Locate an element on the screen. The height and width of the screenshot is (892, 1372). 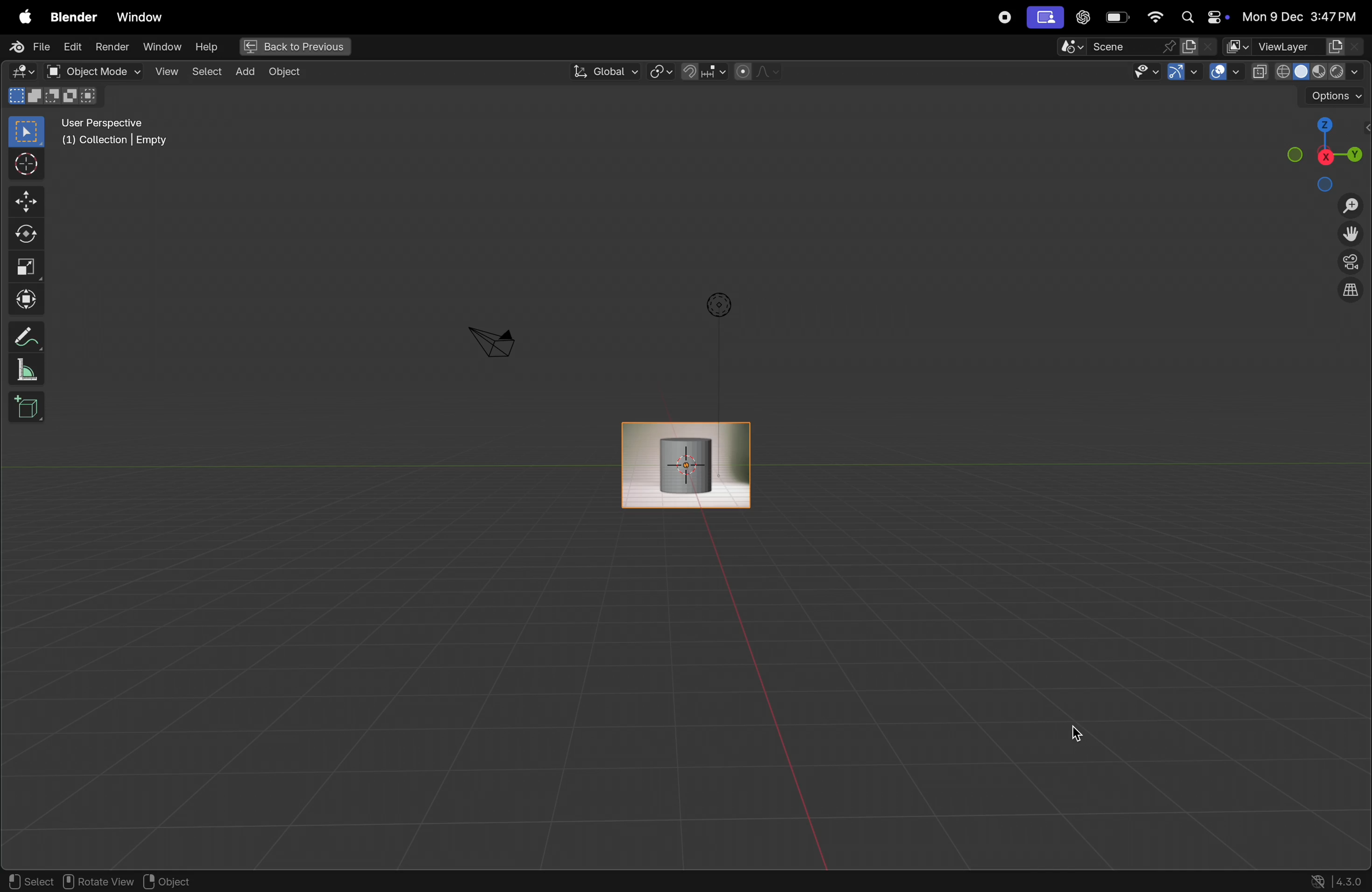
measure is located at coordinates (28, 371).